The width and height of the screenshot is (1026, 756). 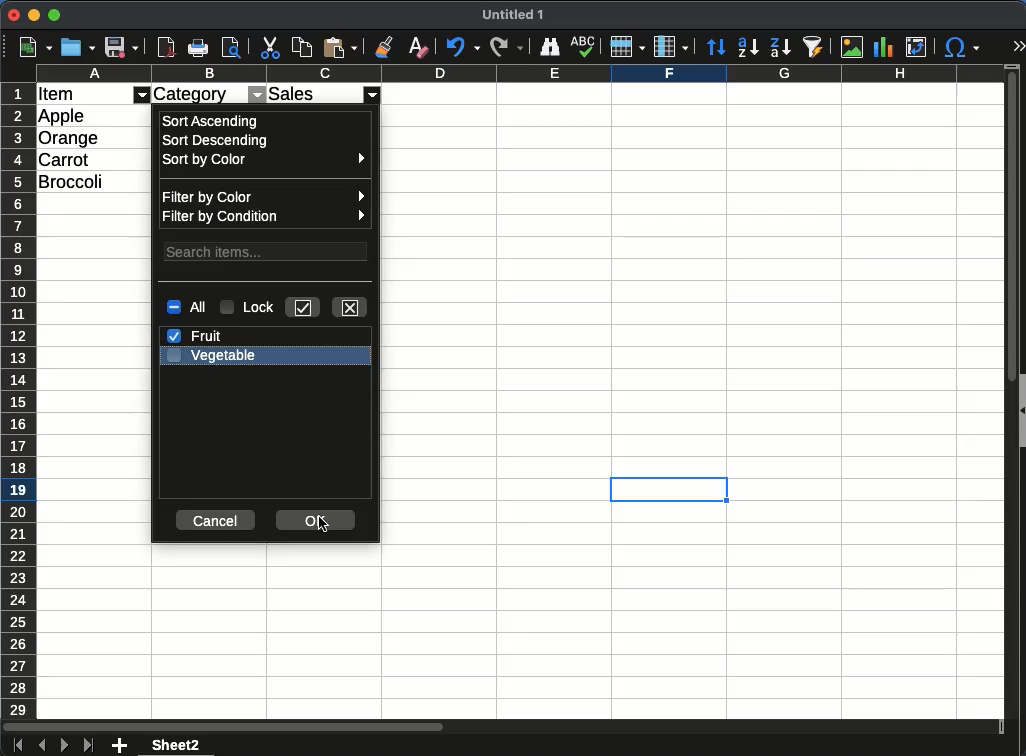 What do you see at coordinates (519, 74) in the screenshot?
I see `column` at bounding box center [519, 74].